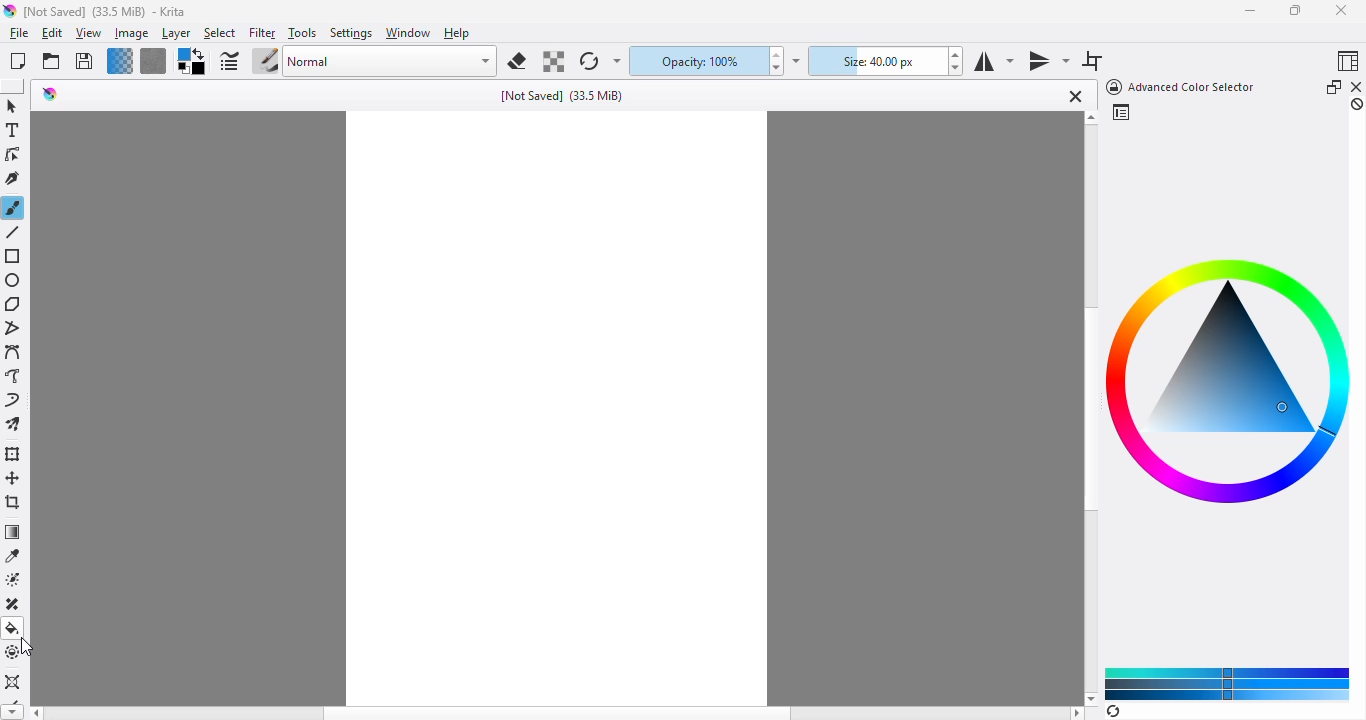 The image size is (1366, 720). Describe the element at coordinates (1334, 86) in the screenshot. I see `float docker` at that location.